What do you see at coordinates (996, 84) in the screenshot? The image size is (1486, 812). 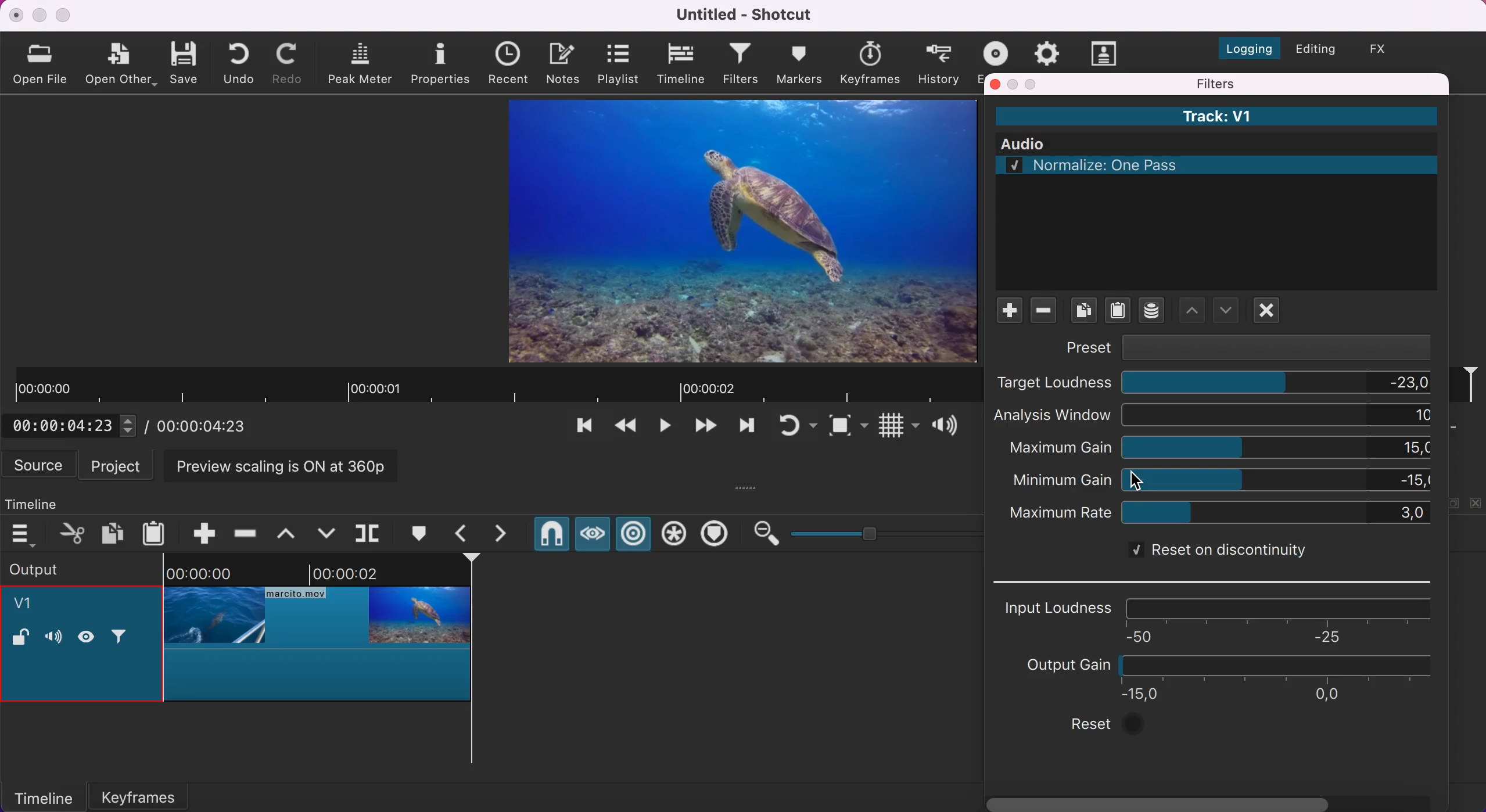 I see `close` at bounding box center [996, 84].